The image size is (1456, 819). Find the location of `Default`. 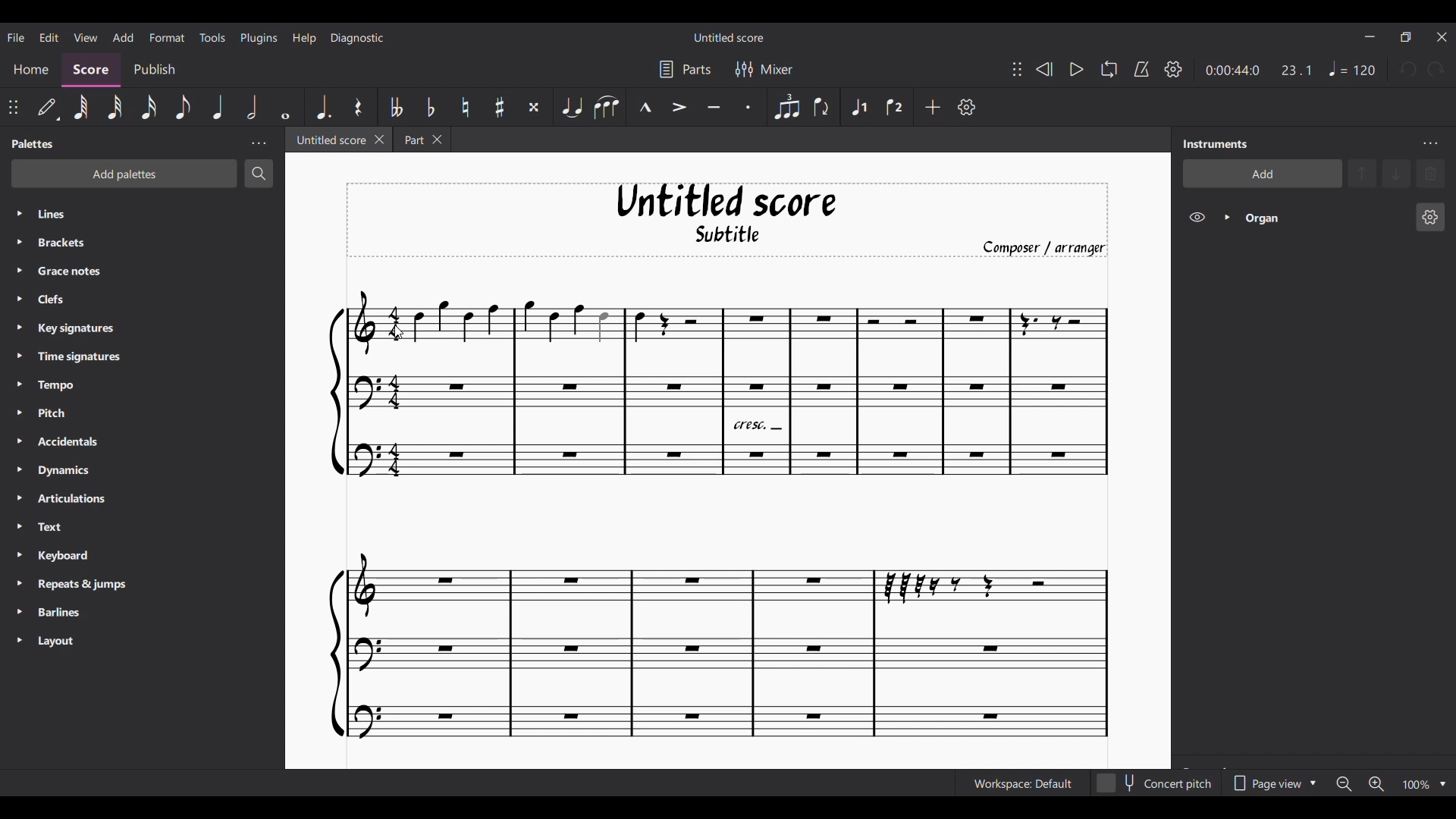

Default is located at coordinates (48, 107).